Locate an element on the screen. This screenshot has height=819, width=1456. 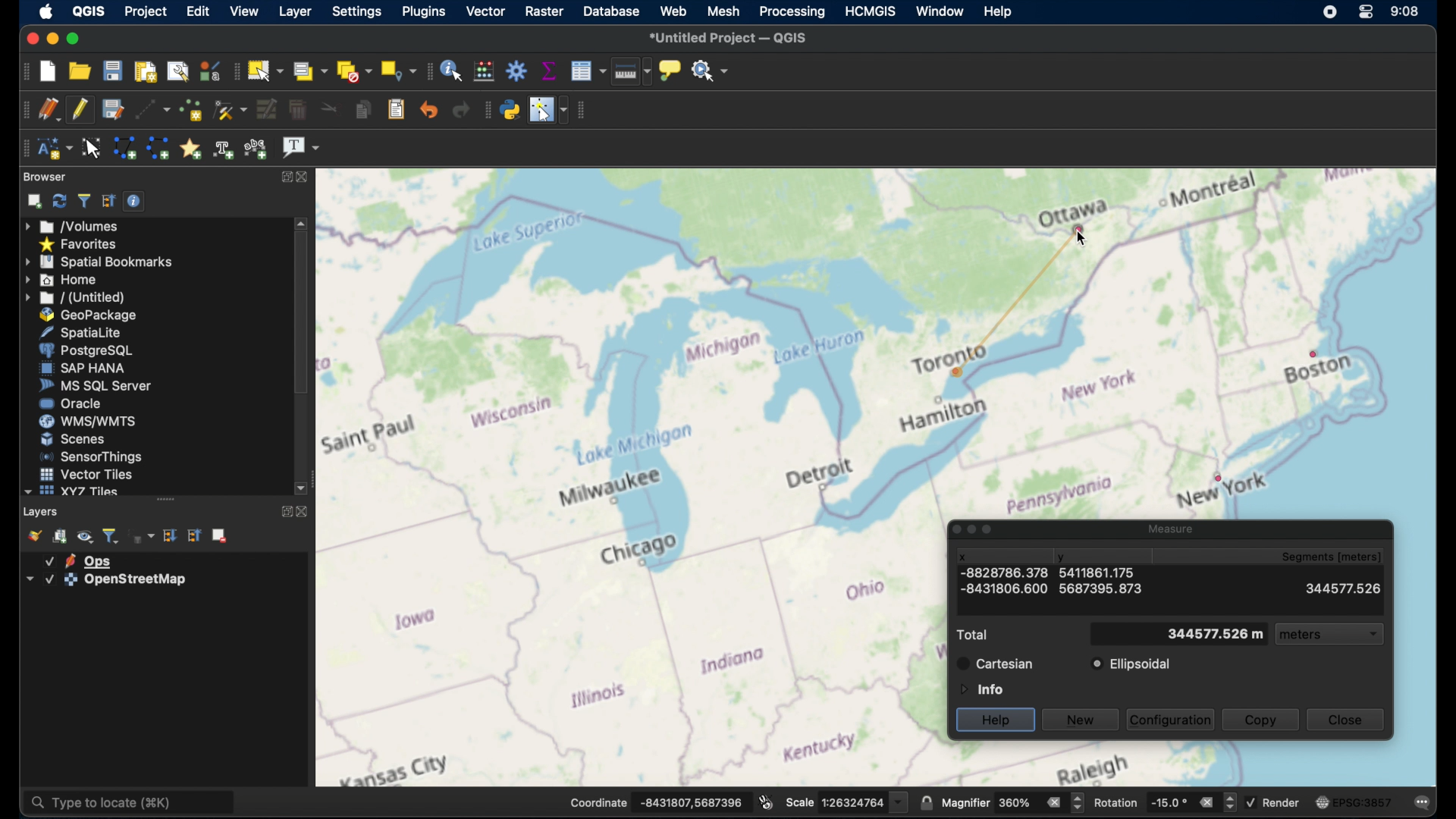
toolbox is located at coordinates (518, 70).